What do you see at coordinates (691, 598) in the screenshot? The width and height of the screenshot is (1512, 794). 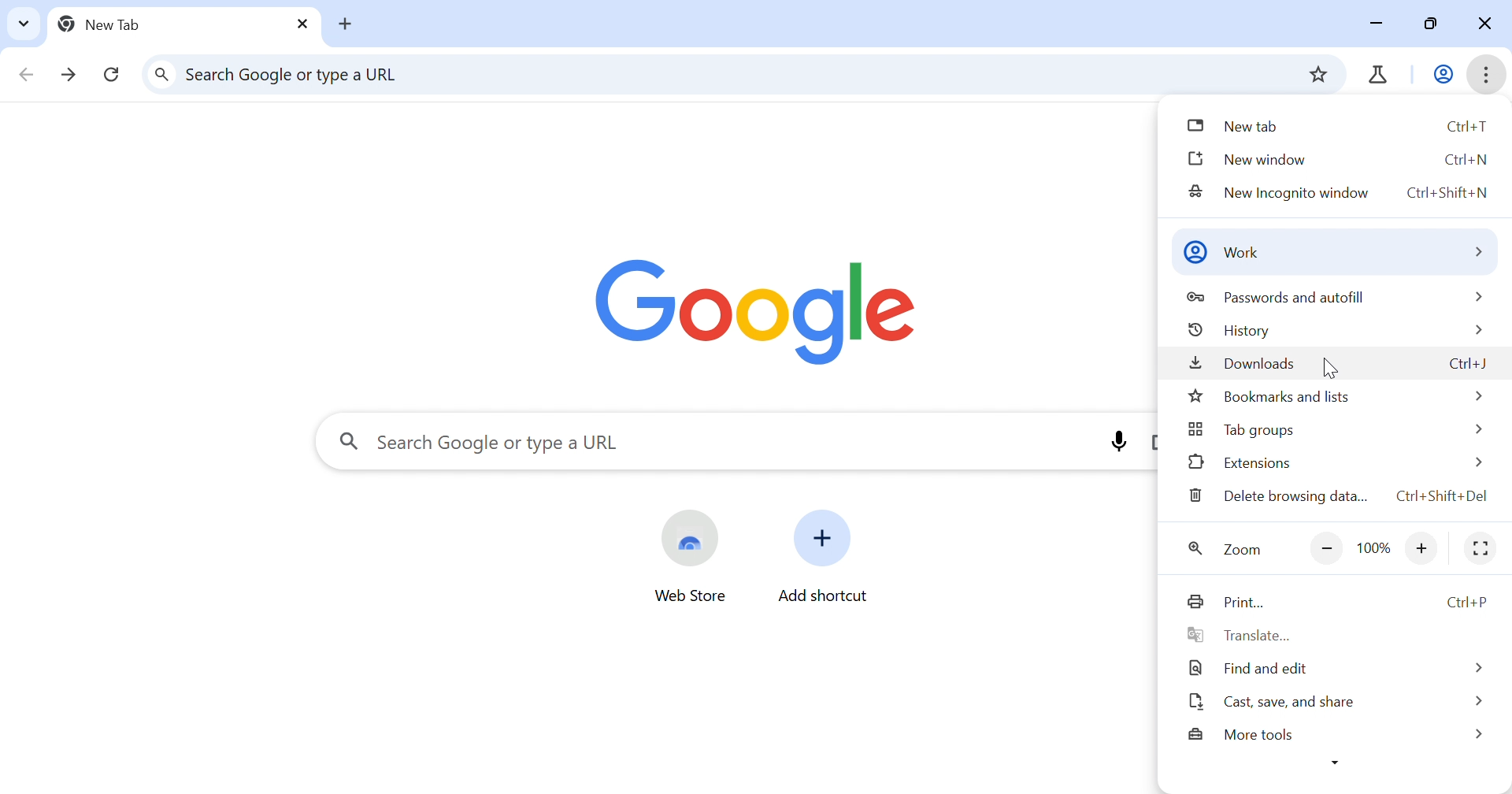 I see `Web store` at bounding box center [691, 598].